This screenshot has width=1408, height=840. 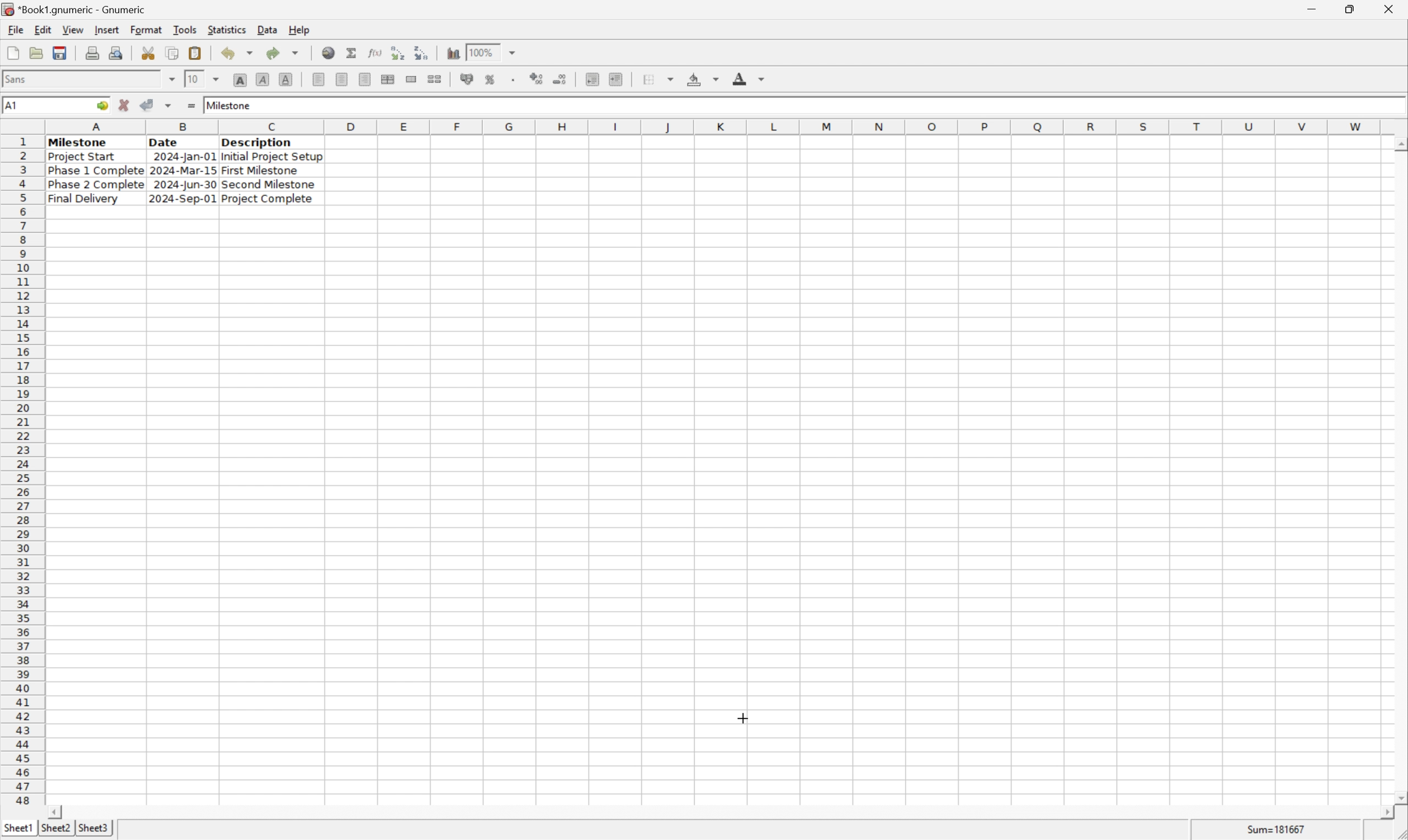 I want to click on restore down, so click(x=1354, y=9).